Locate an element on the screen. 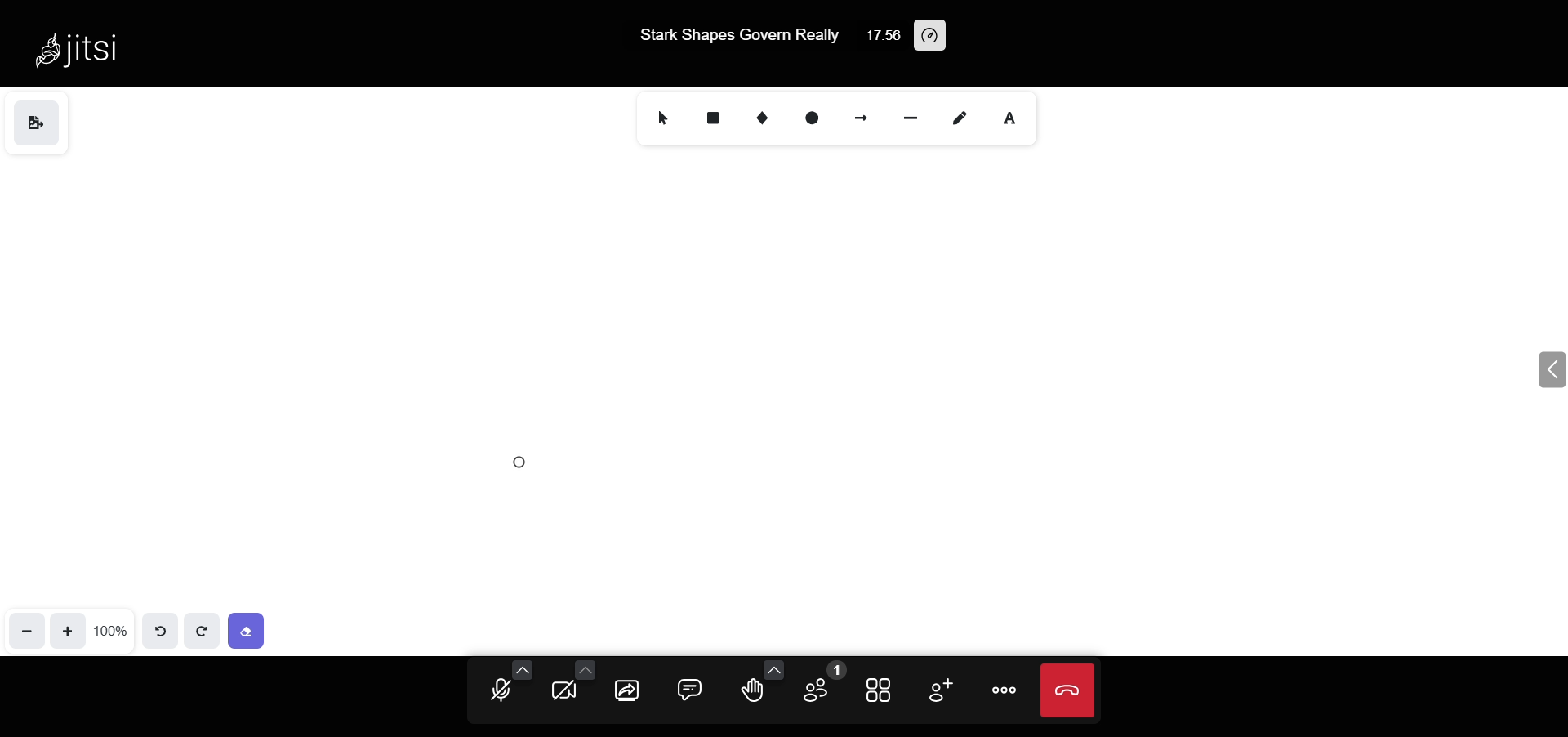 The image size is (1568, 737). arrow is located at coordinates (862, 118).